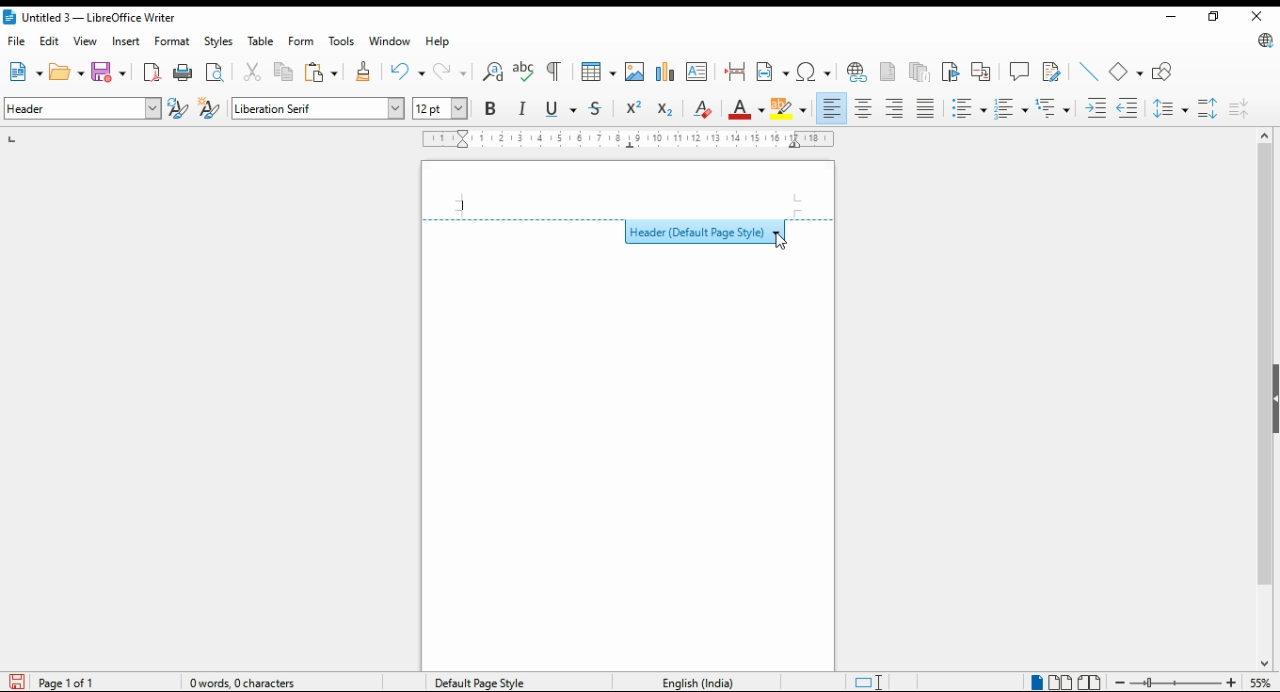 The image size is (1280, 692). I want to click on format directly as pdf, so click(153, 72).